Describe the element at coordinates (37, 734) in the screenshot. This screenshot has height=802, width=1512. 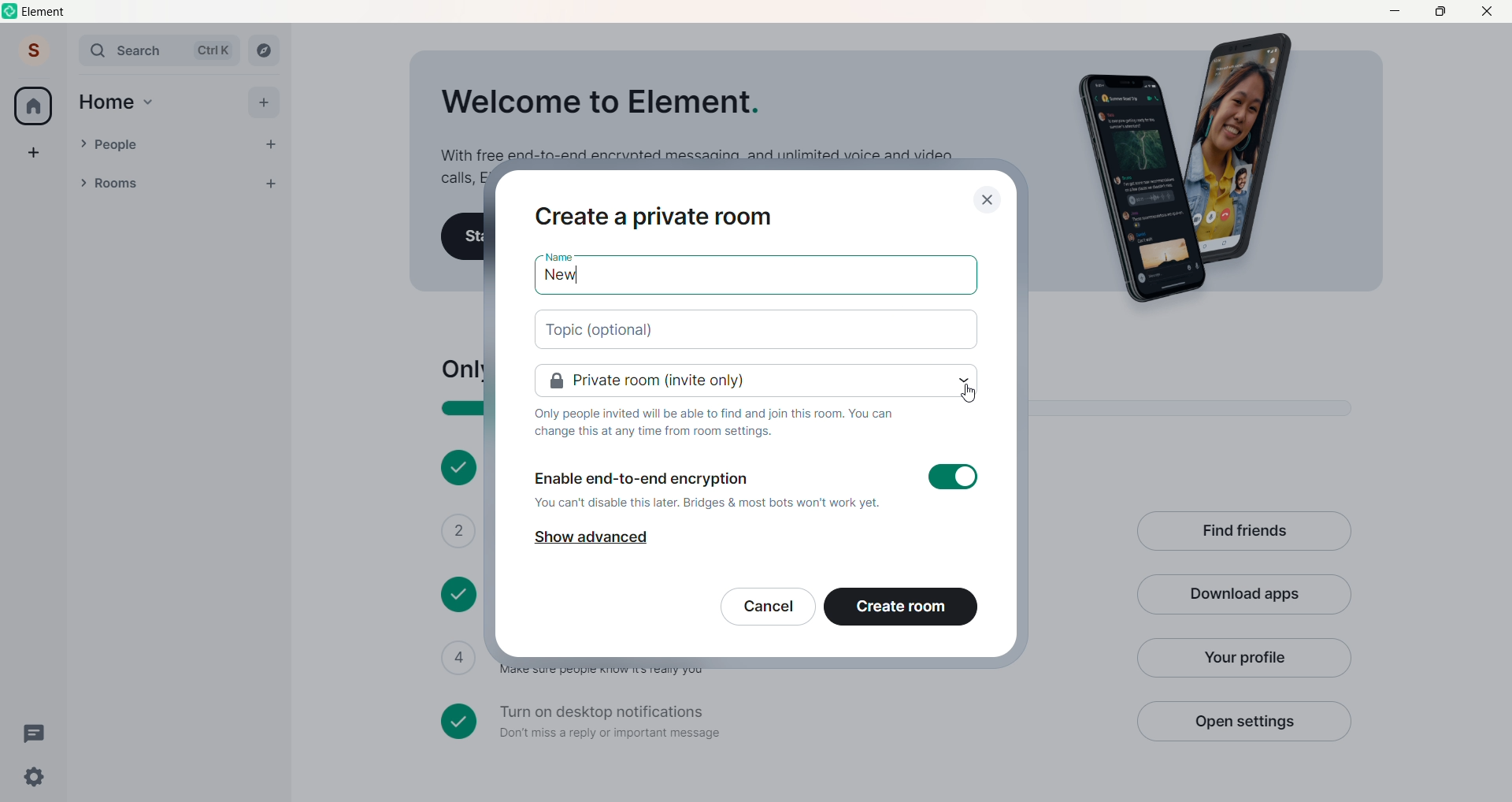
I see `Threads` at that location.